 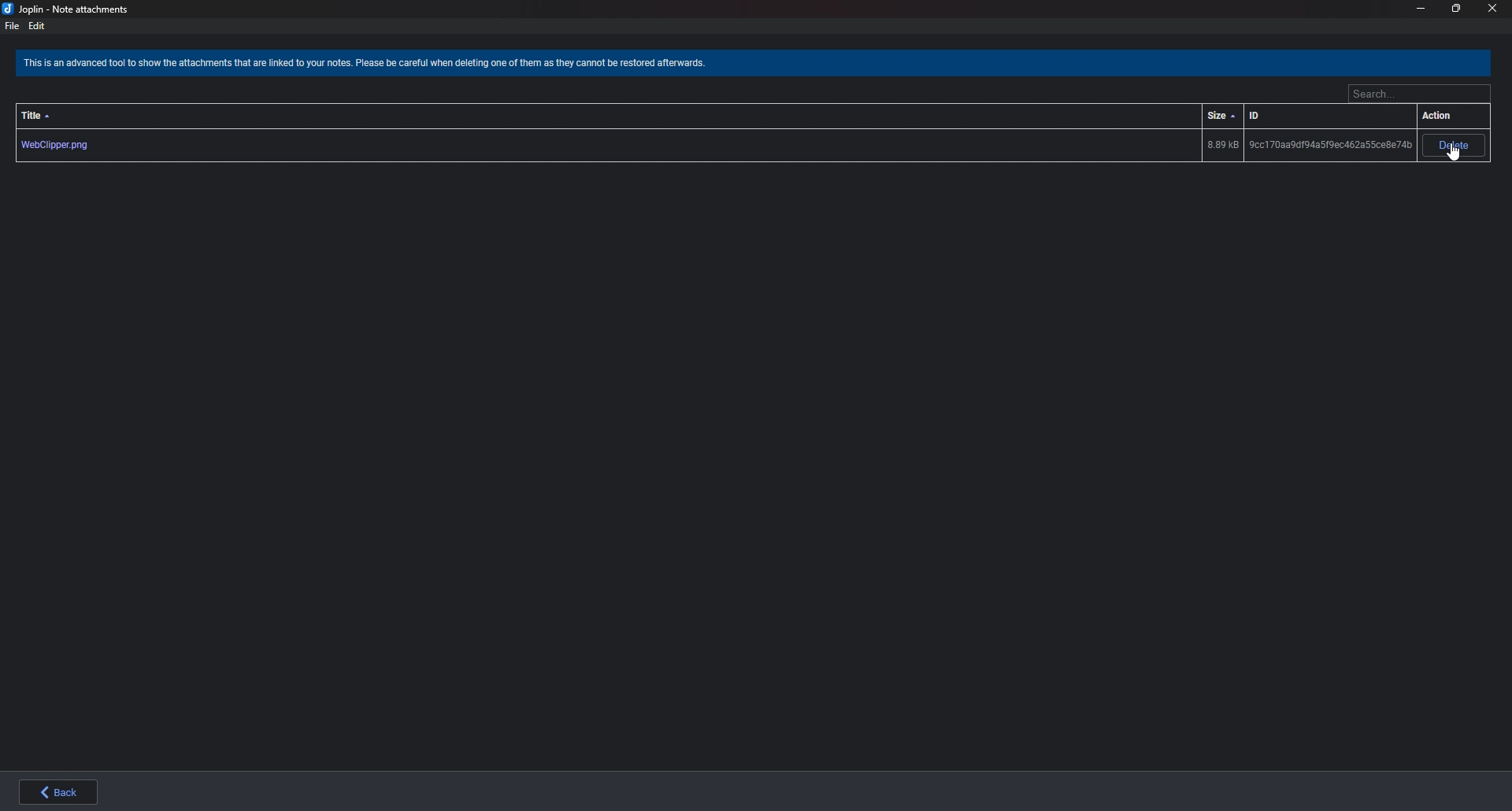 What do you see at coordinates (372, 65) in the screenshot?
I see `warning` at bounding box center [372, 65].